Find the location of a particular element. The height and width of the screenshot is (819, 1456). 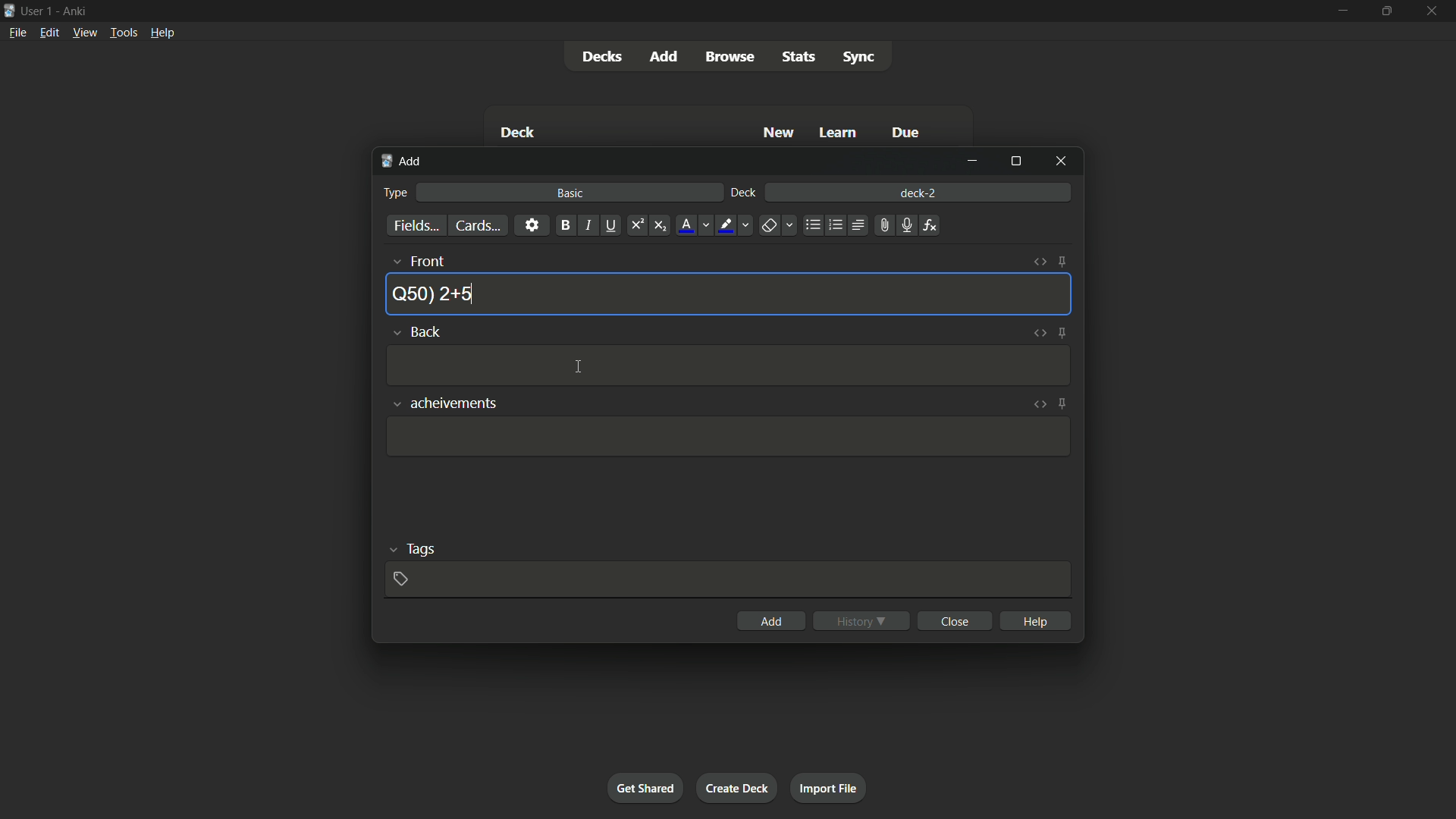

import file is located at coordinates (830, 789).